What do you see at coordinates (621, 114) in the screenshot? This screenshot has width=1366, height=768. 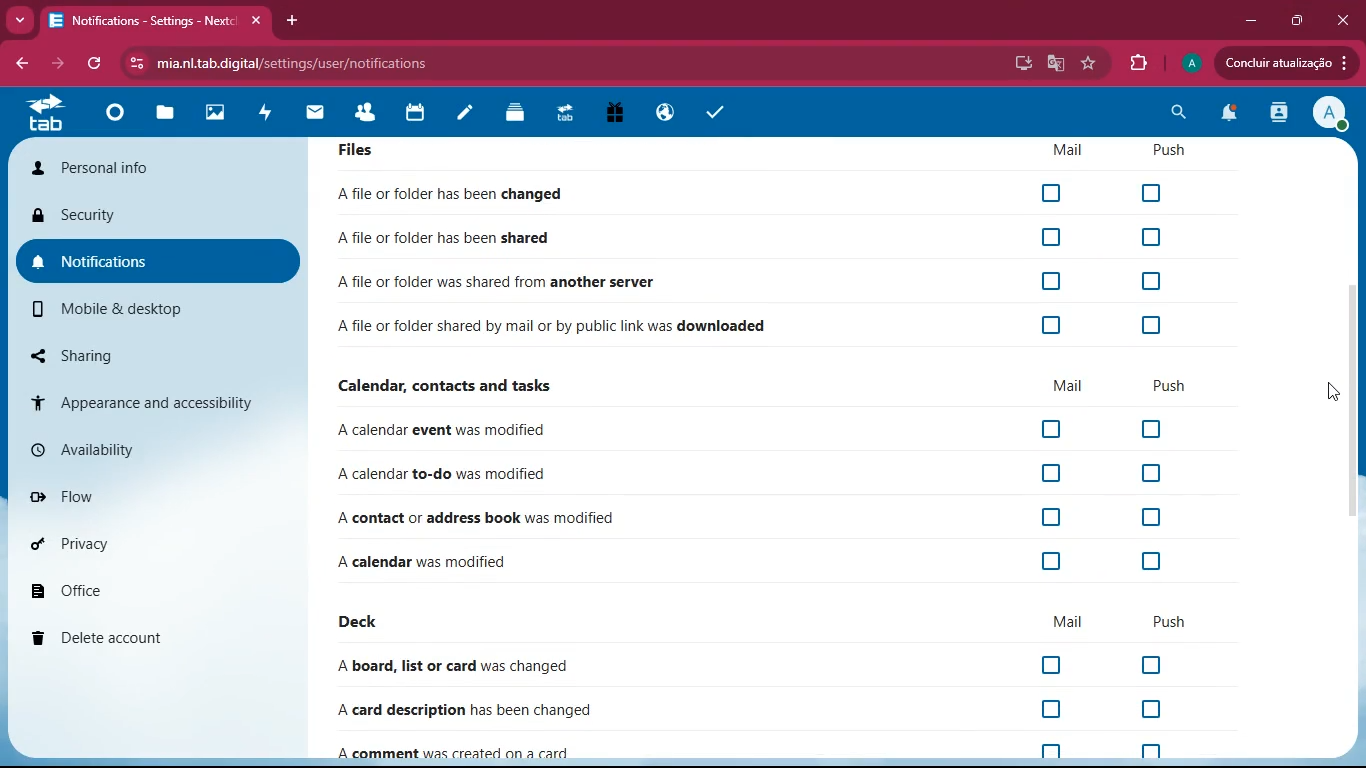 I see `gift` at bounding box center [621, 114].